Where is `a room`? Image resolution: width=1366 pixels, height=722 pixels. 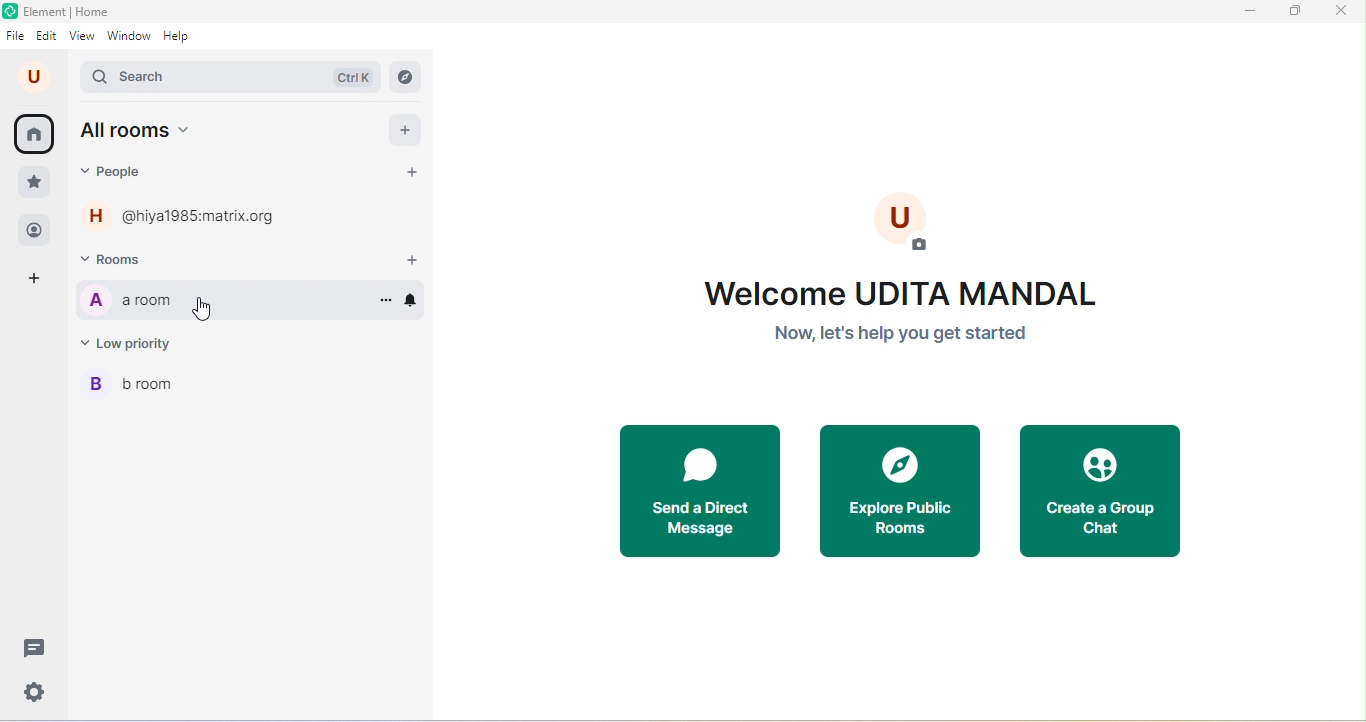
a room is located at coordinates (130, 299).